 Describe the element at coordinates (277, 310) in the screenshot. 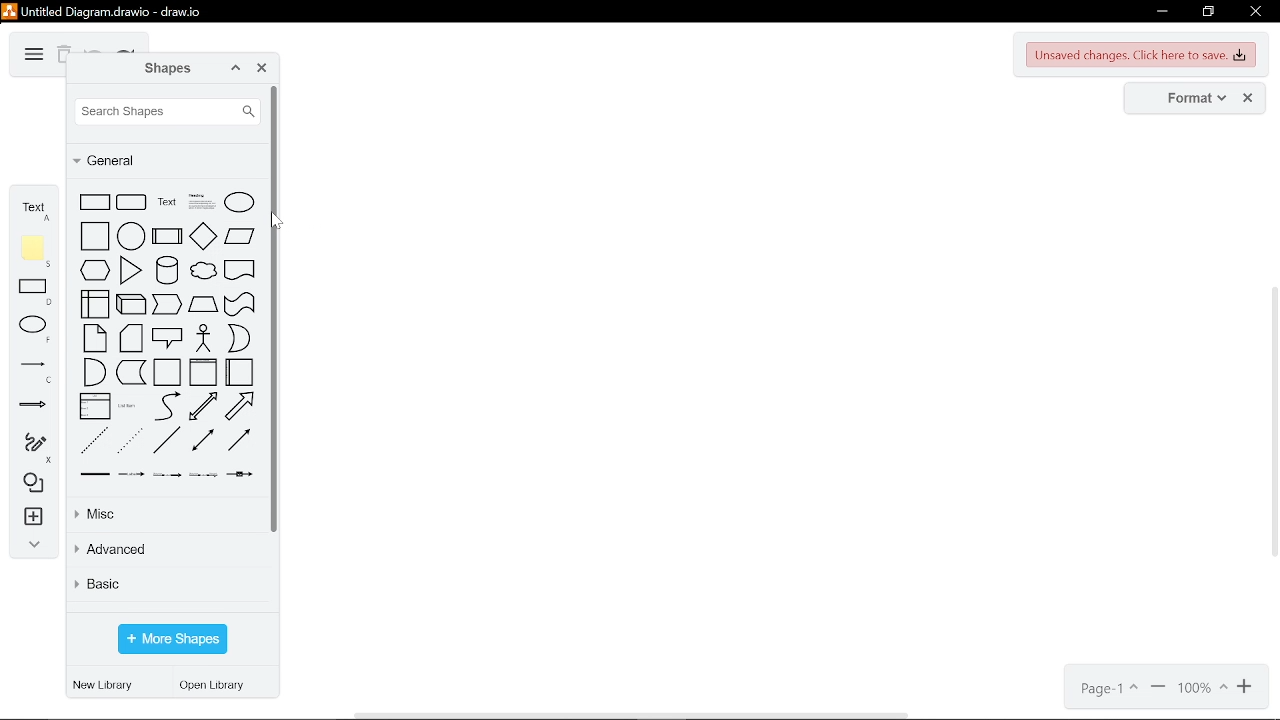

I see `vertical scrollbar` at that location.